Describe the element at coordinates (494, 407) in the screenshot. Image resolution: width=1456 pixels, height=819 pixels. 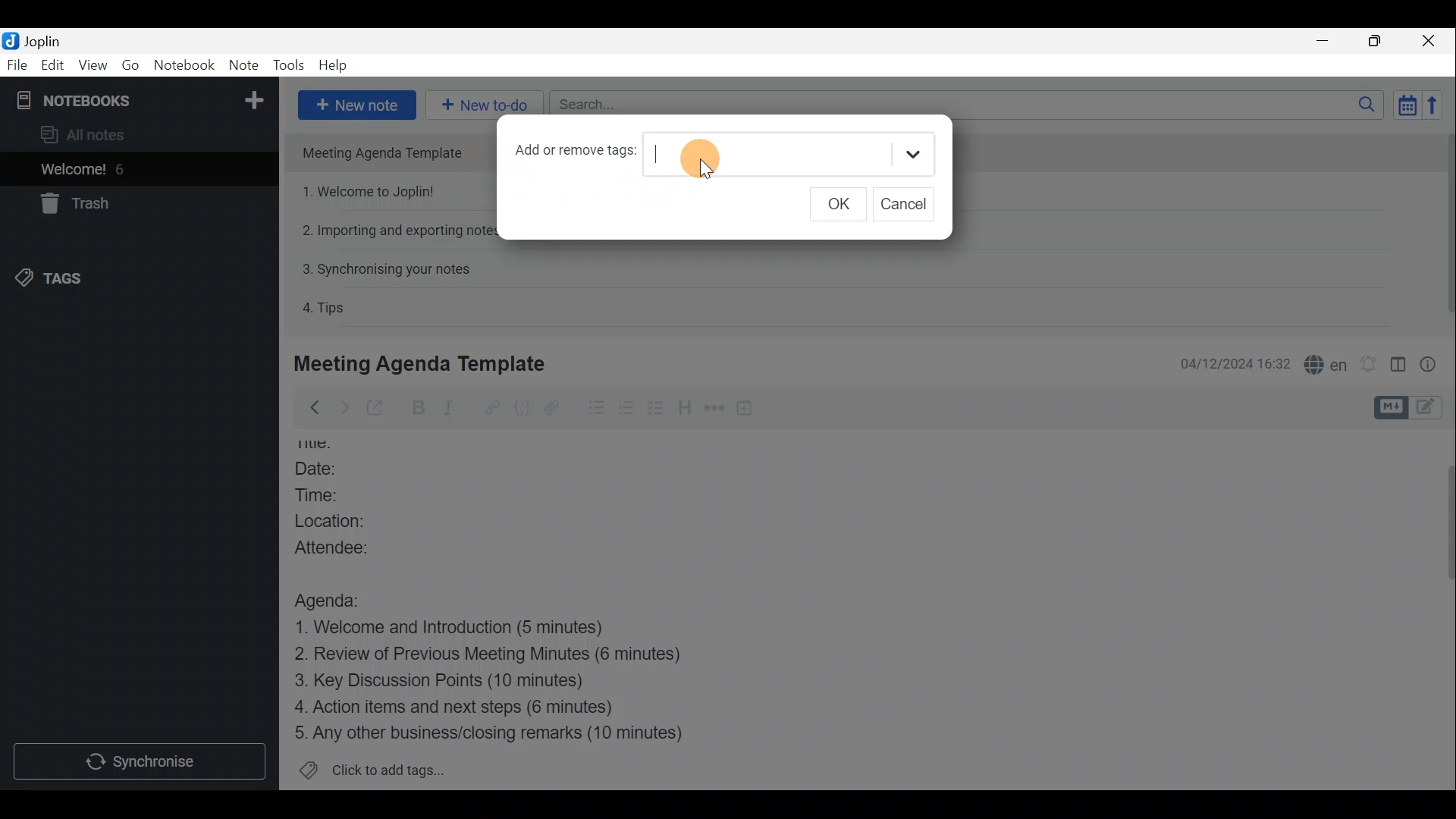
I see `Hyperlink` at that location.